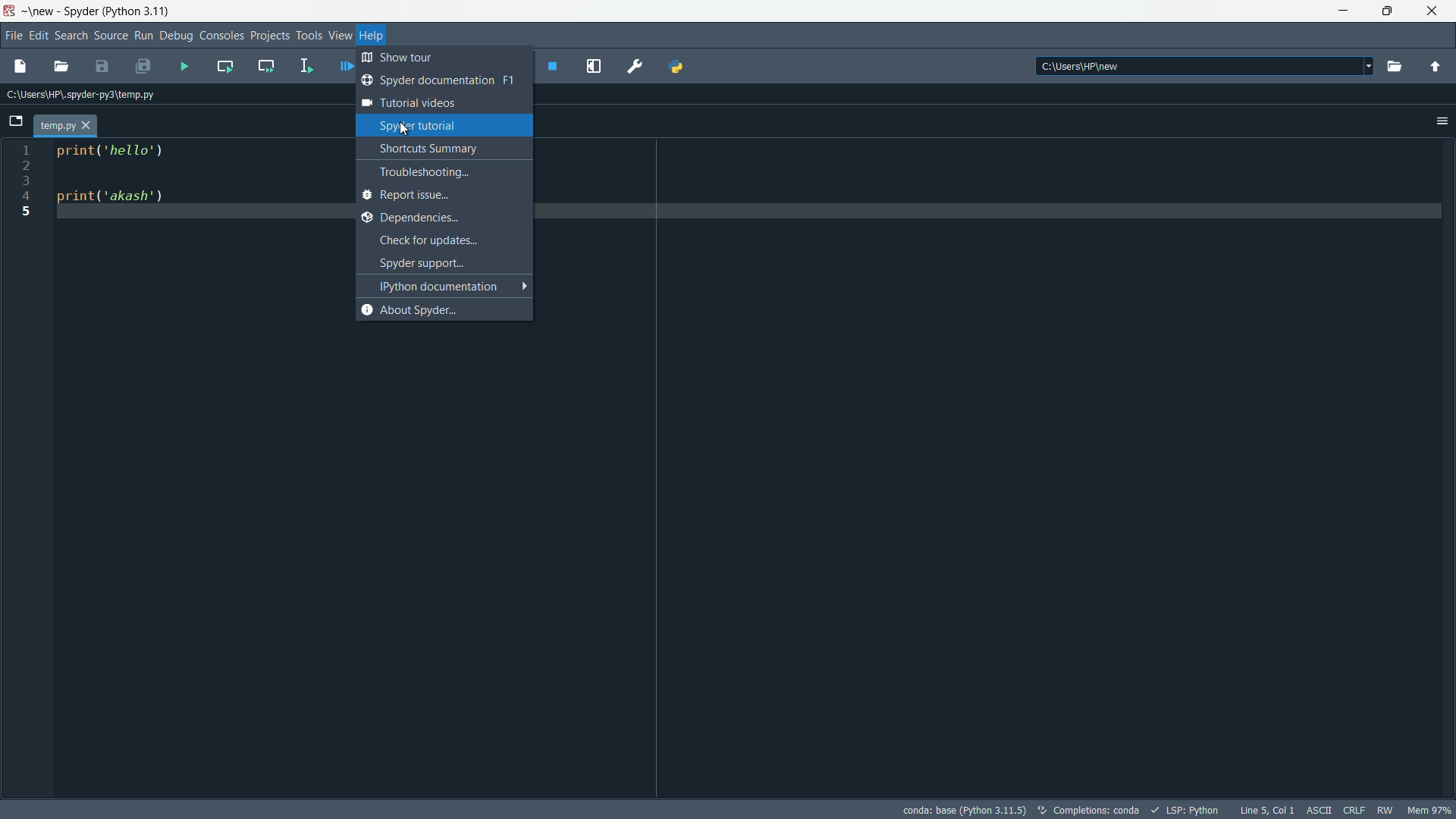  Describe the element at coordinates (1354, 810) in the screenshot. I see `crlf` at that location.